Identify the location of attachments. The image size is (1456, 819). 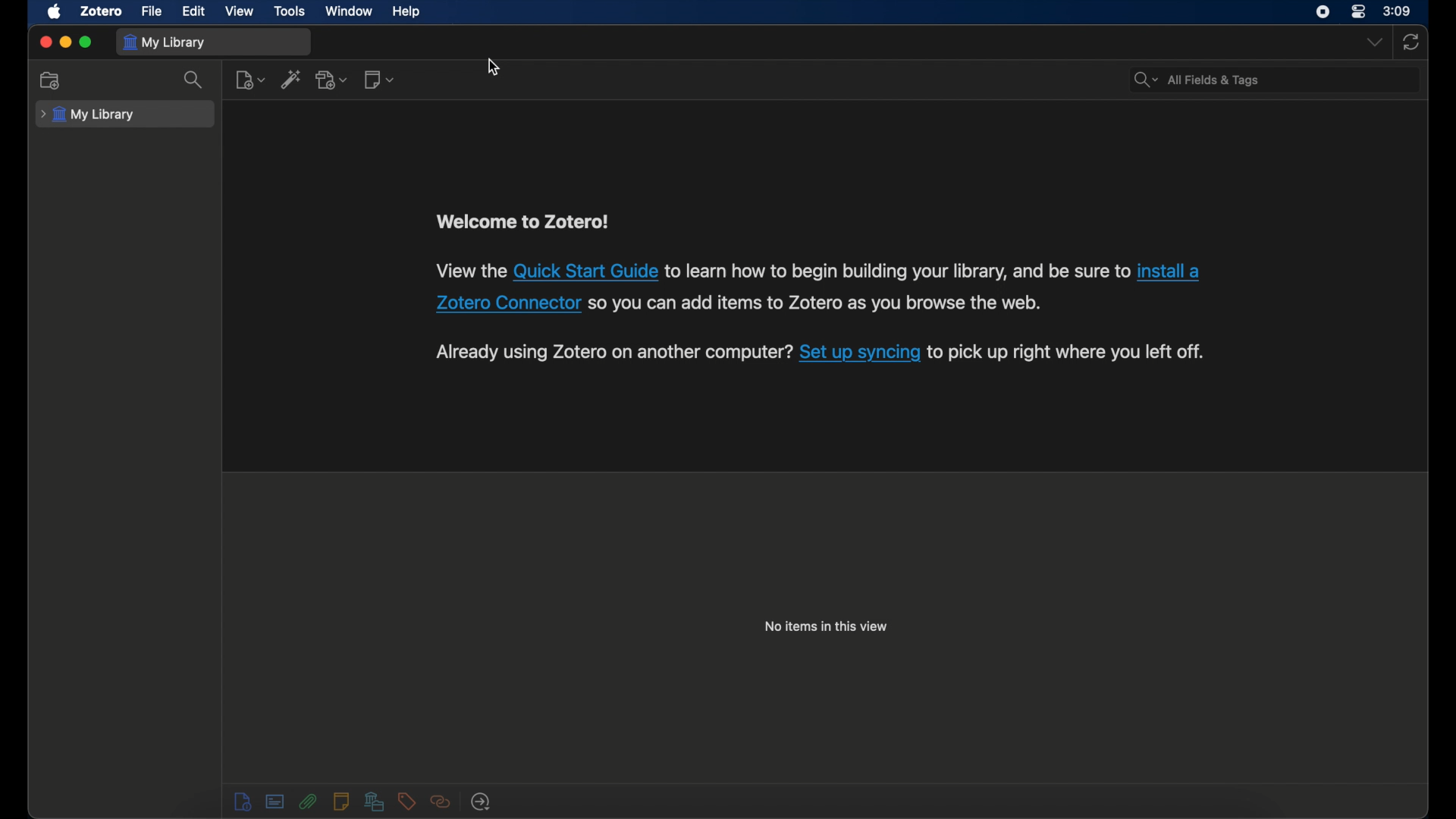
(308, 801).